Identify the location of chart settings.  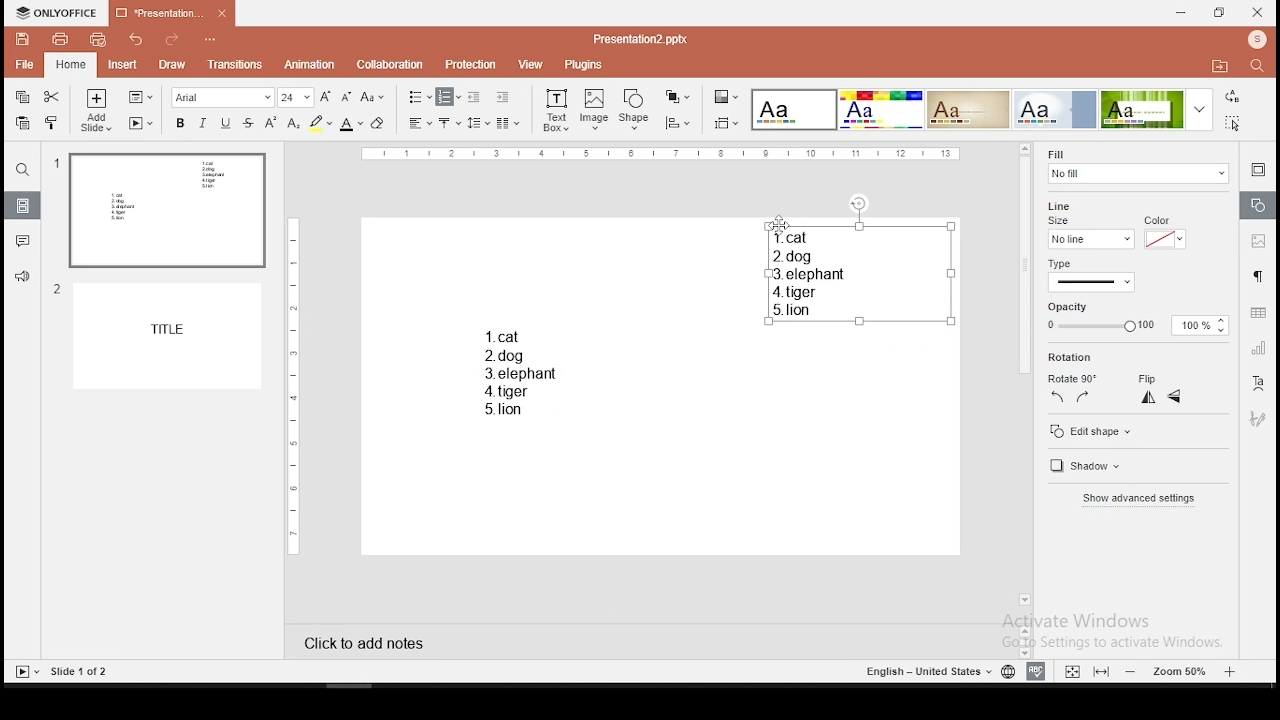
(1256, 350).